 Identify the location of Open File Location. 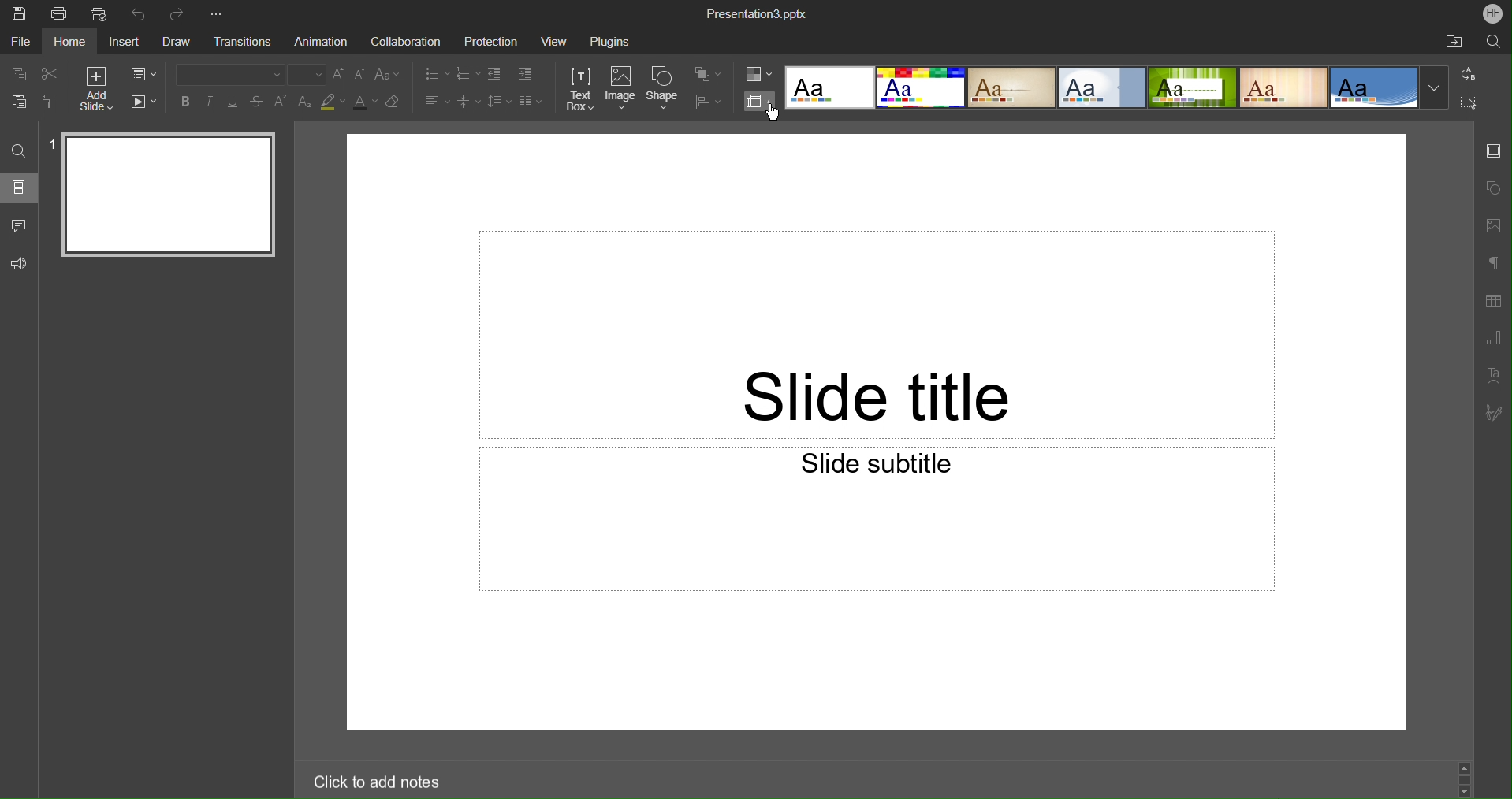
(1453, 43).